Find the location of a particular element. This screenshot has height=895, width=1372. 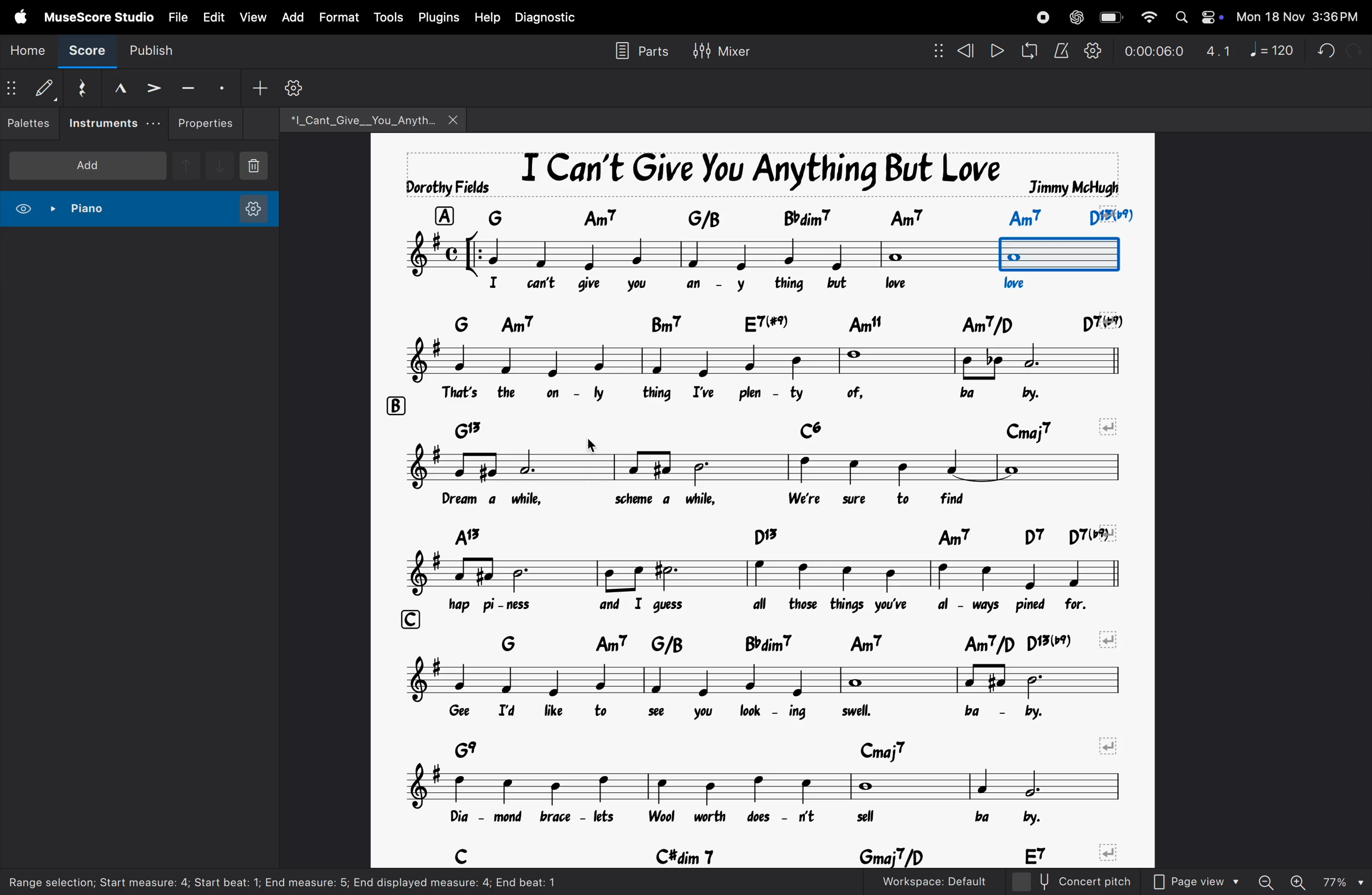

redo is located at coordinates (1355, 48).